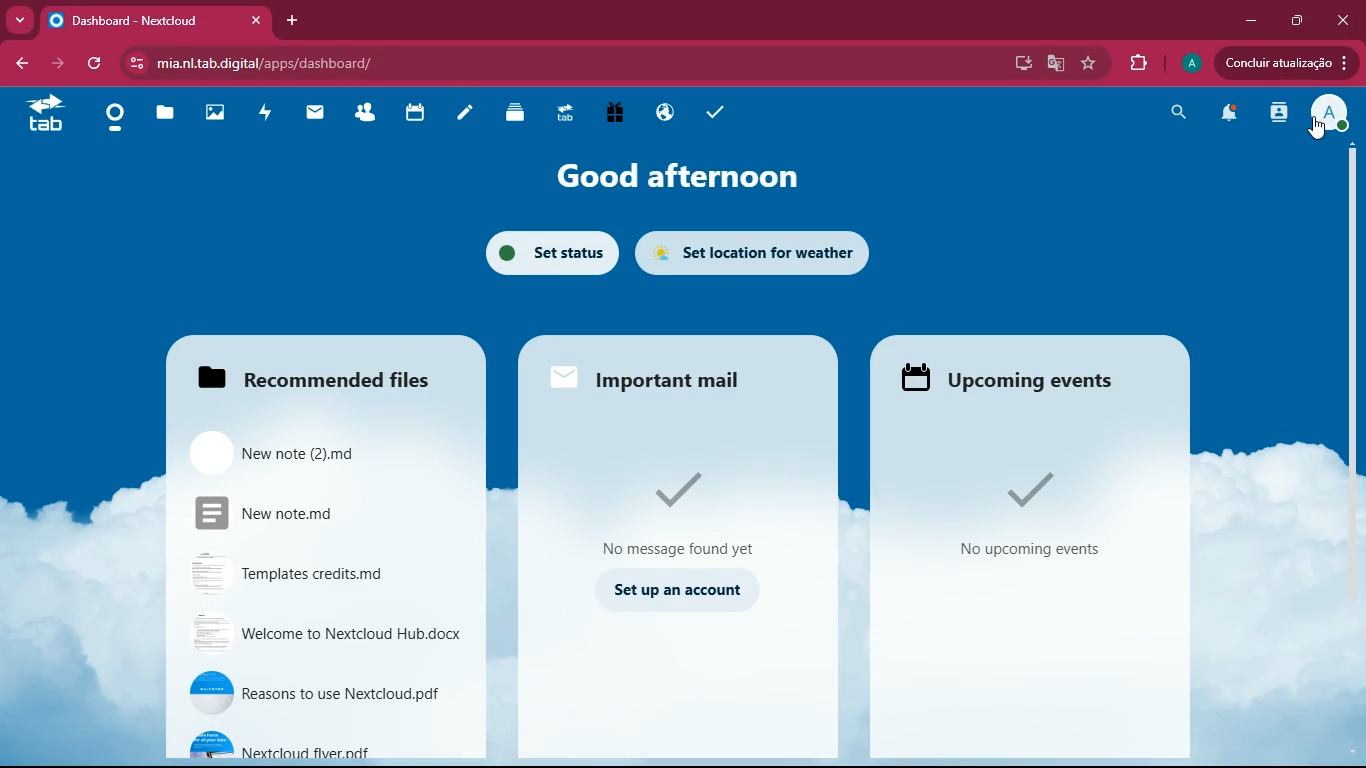  I want to click on google translate, so click(1053, 65).